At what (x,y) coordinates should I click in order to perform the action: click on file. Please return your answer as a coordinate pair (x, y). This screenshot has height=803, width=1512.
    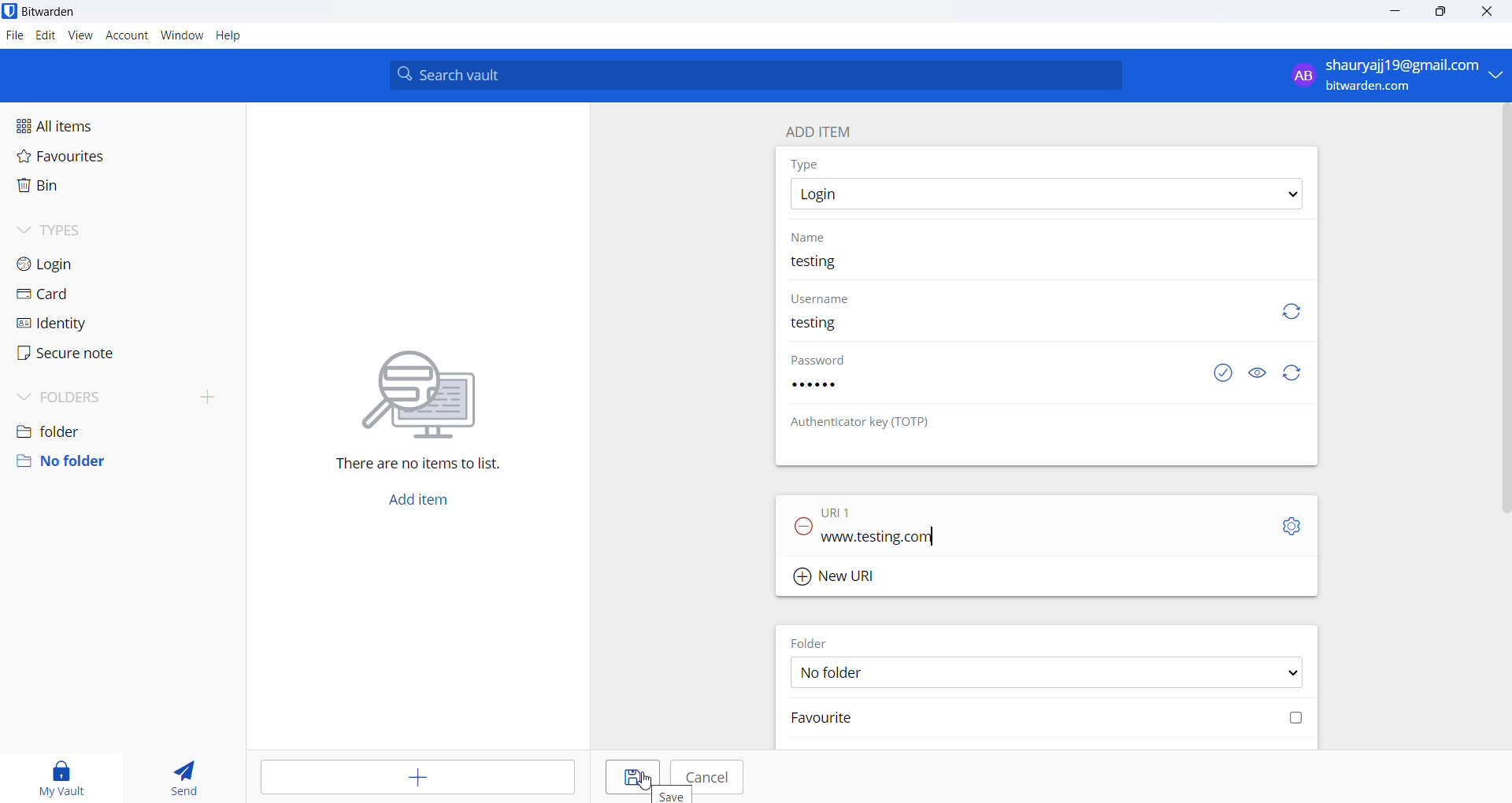
    Looking at the image, I should click on (13, 37).